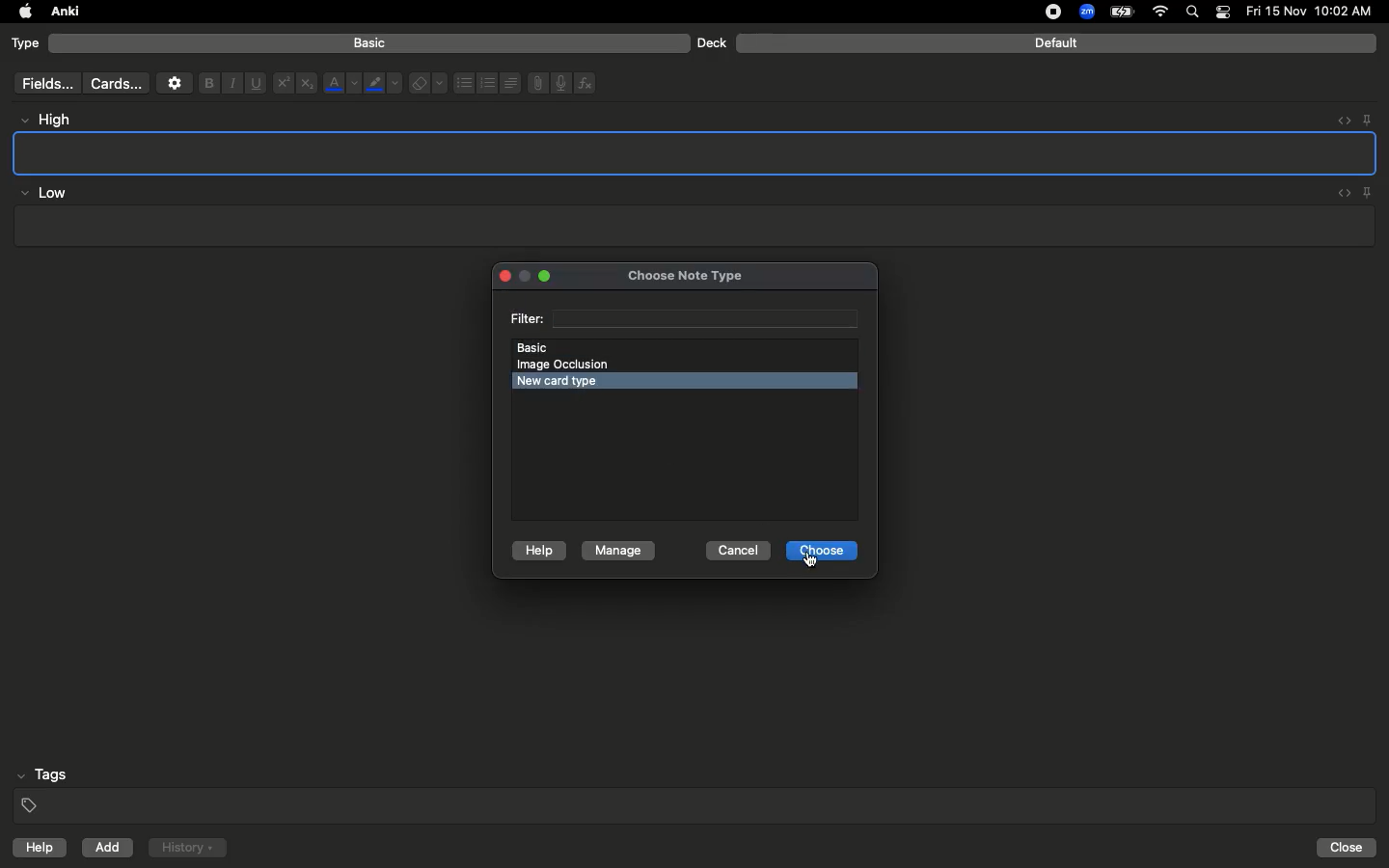 The height and width of the screenshot is (868, 1389). I want to click on History, so click(187, 848).